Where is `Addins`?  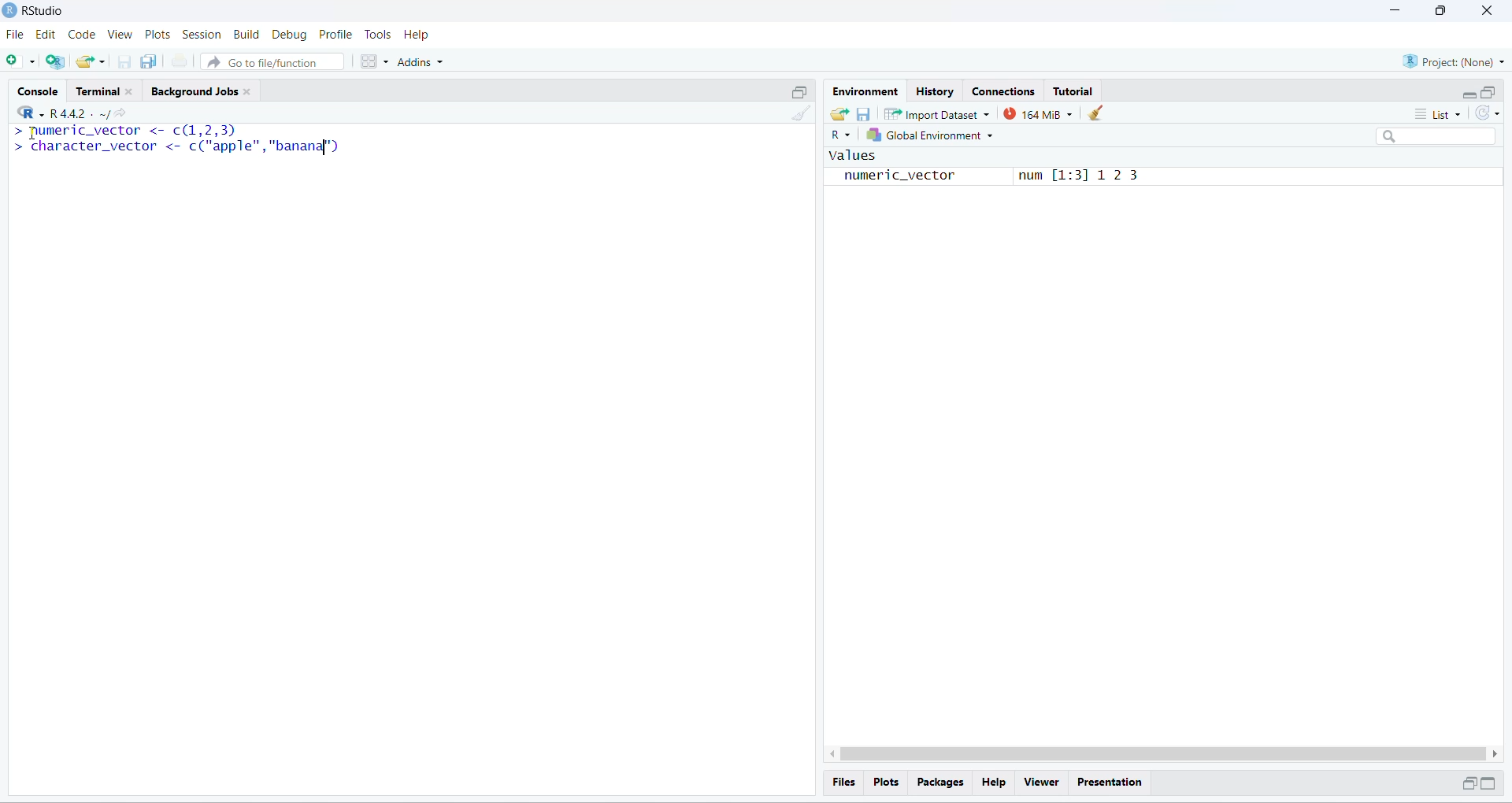 Addins is located at coordinates (421, 62).